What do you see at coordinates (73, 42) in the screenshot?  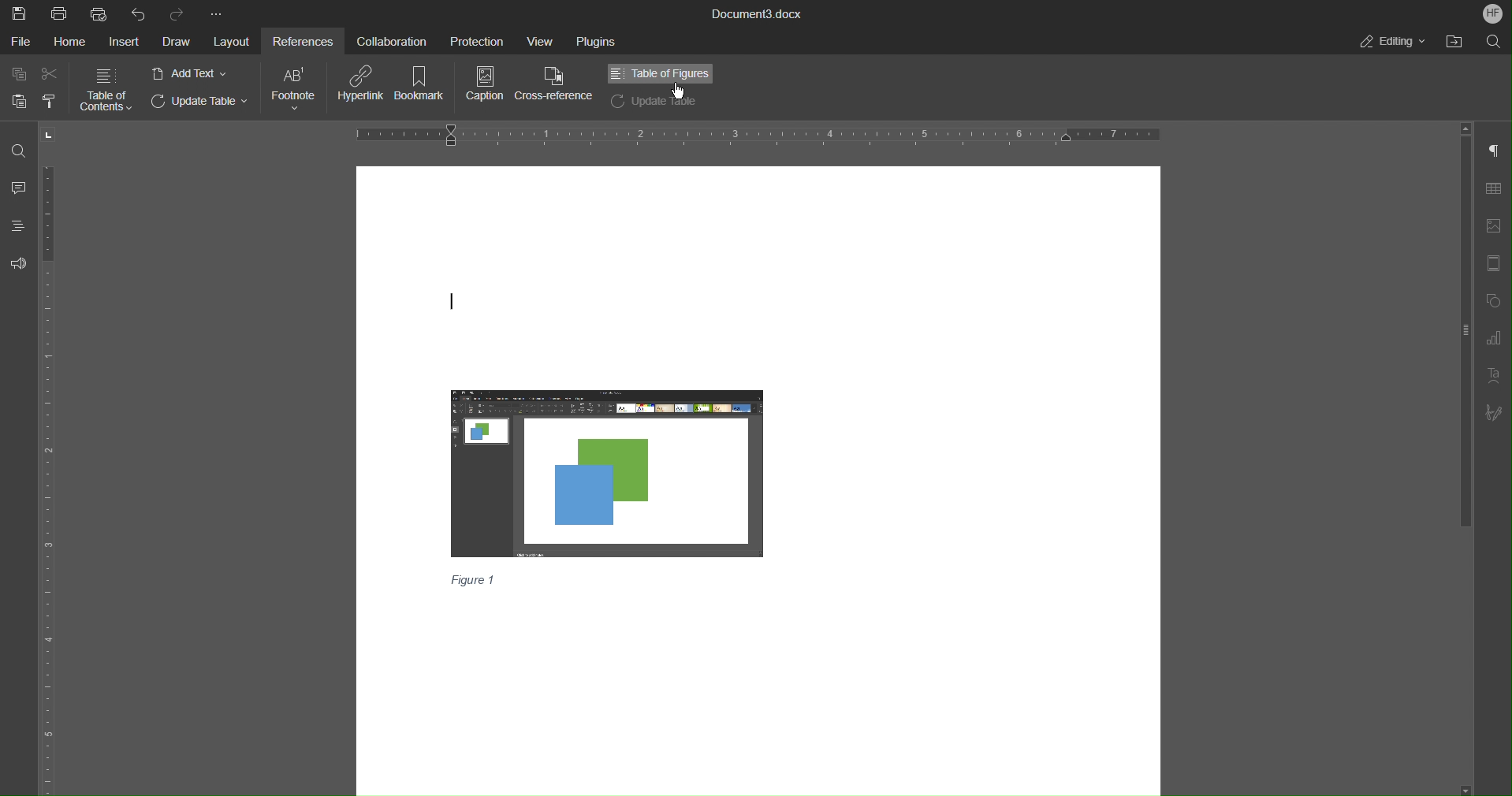 I see `Home` at bounding box center [73, 42].